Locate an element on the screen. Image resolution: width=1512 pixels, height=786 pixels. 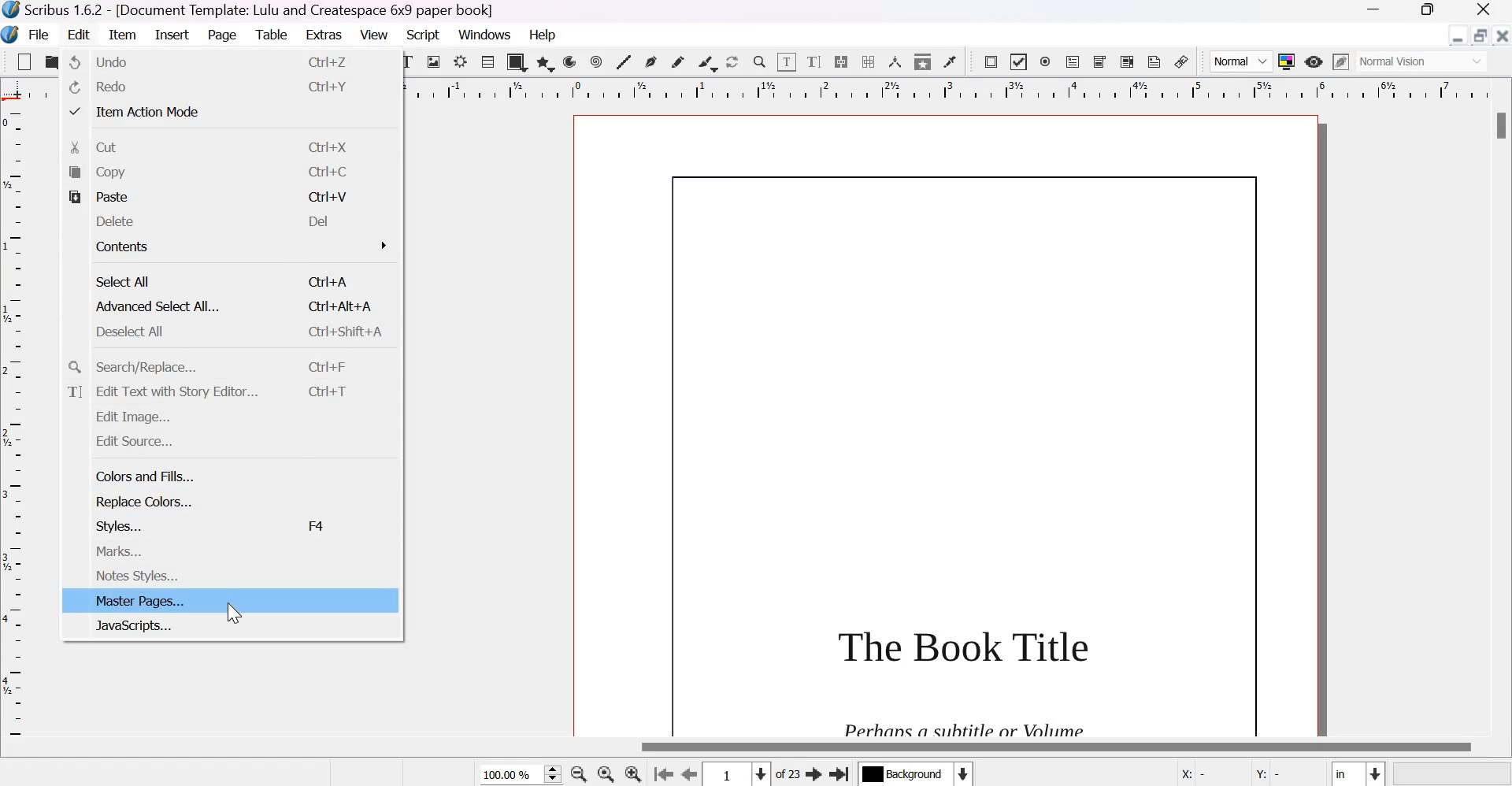
javascripts... is located at coordinates (140, 626).